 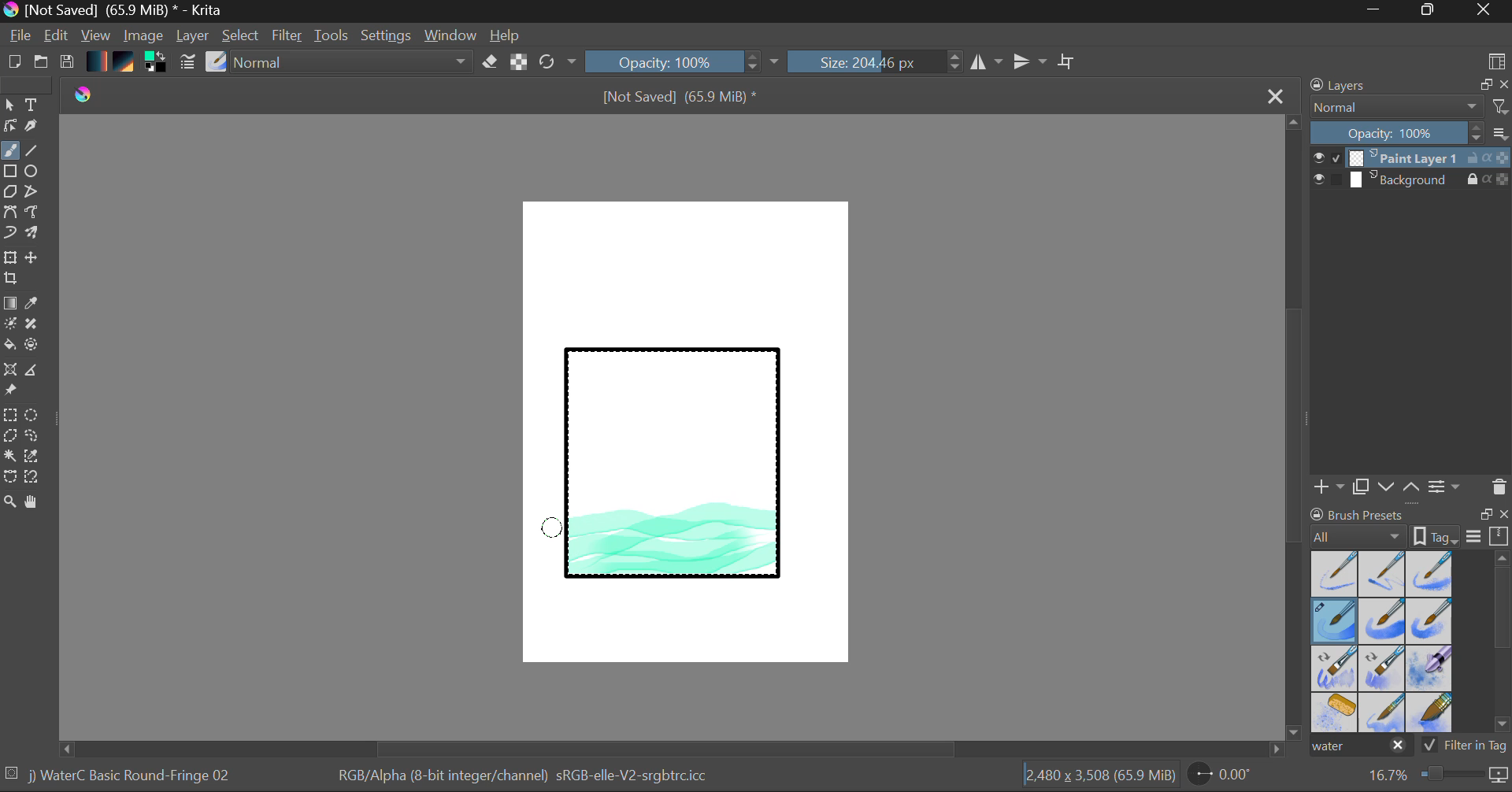 What do you see at coordinates (9, 417) in the screenshot?
I see `Rectangle Selection Tool` at bounding box center [9, 417].